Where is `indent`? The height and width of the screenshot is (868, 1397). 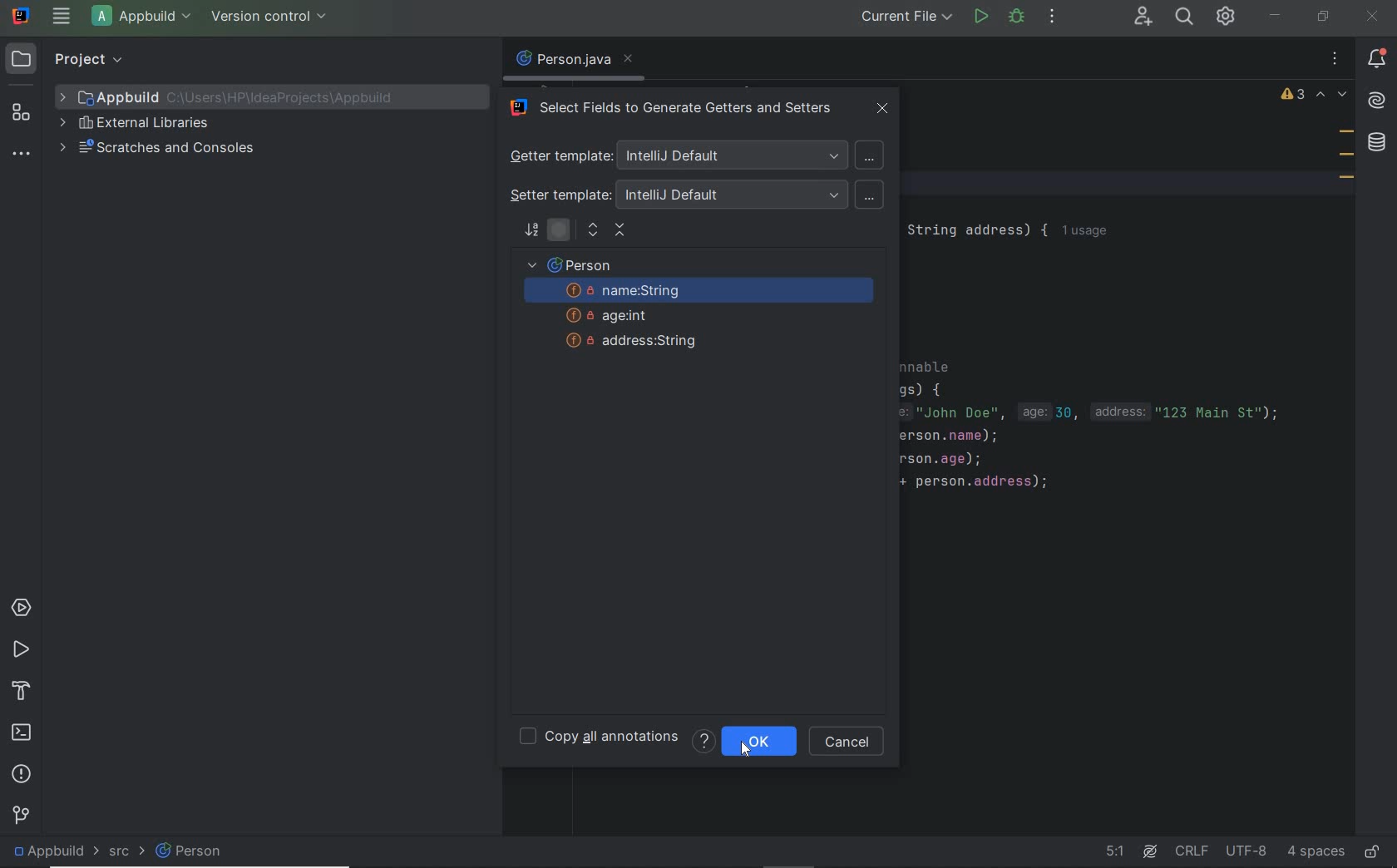 indent is located at coordinates (1315, 851).